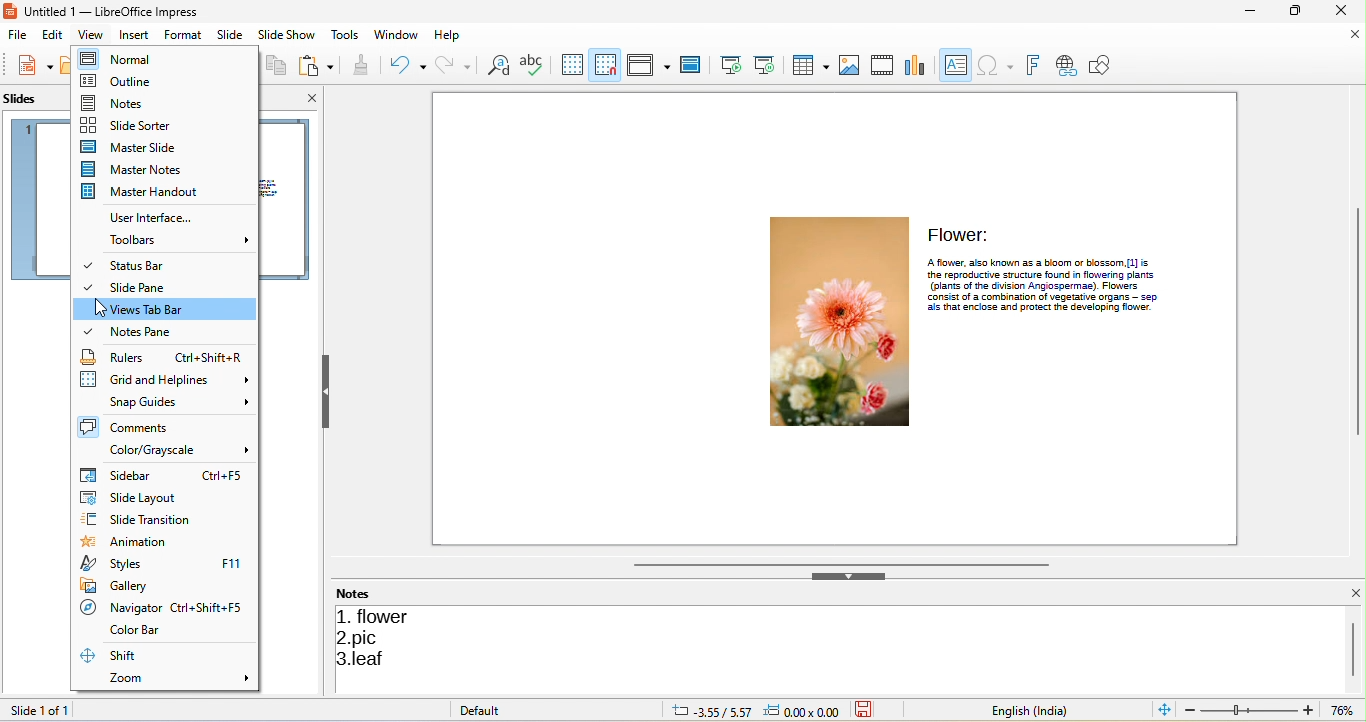 The image size is (1366, 722). What do you see at coordinates (104, 307) in the screenshot?
I see `cursor movement` at bounding box center [104, 307].